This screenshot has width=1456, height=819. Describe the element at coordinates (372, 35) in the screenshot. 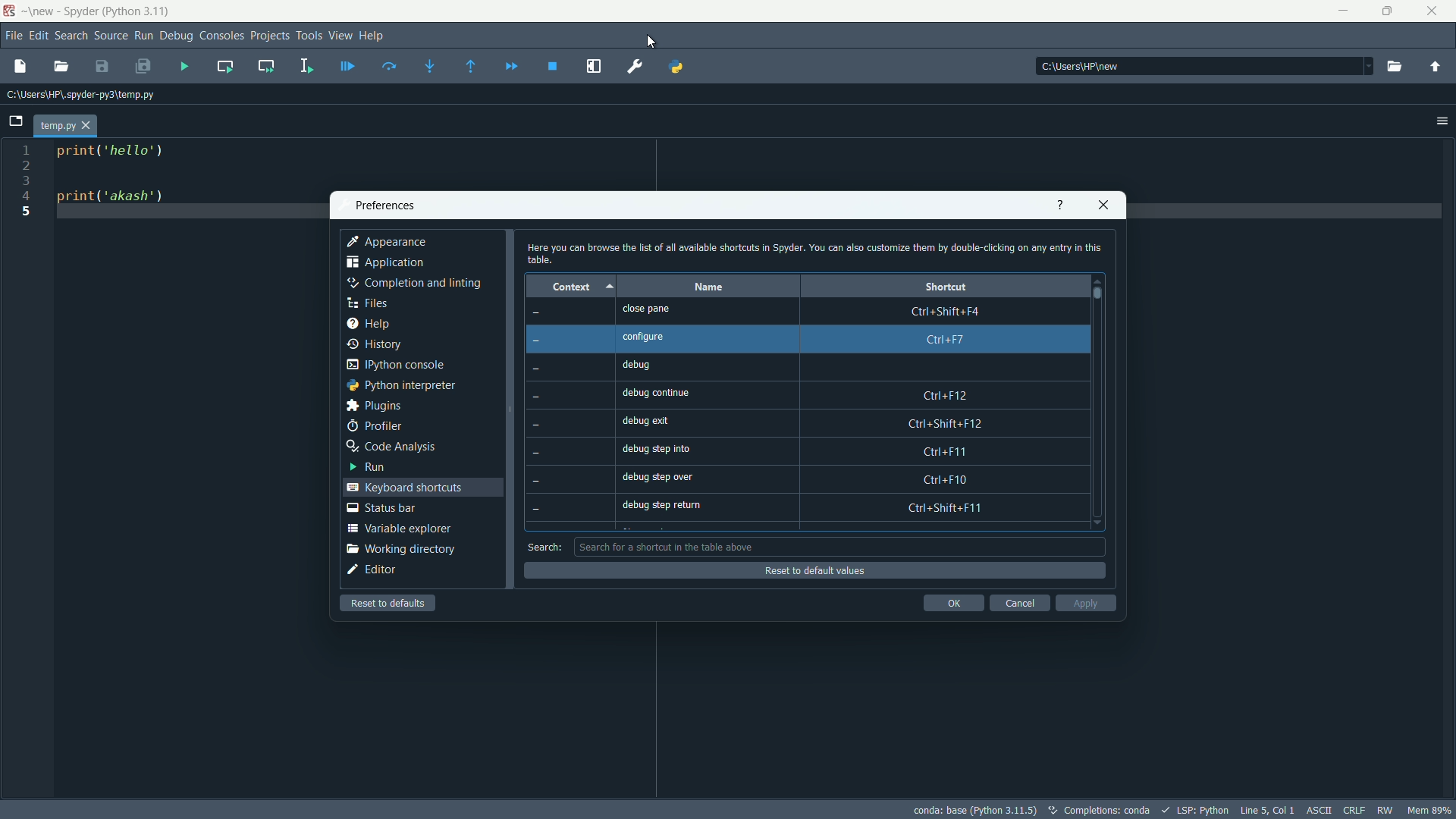

I see `help menu` at that location.